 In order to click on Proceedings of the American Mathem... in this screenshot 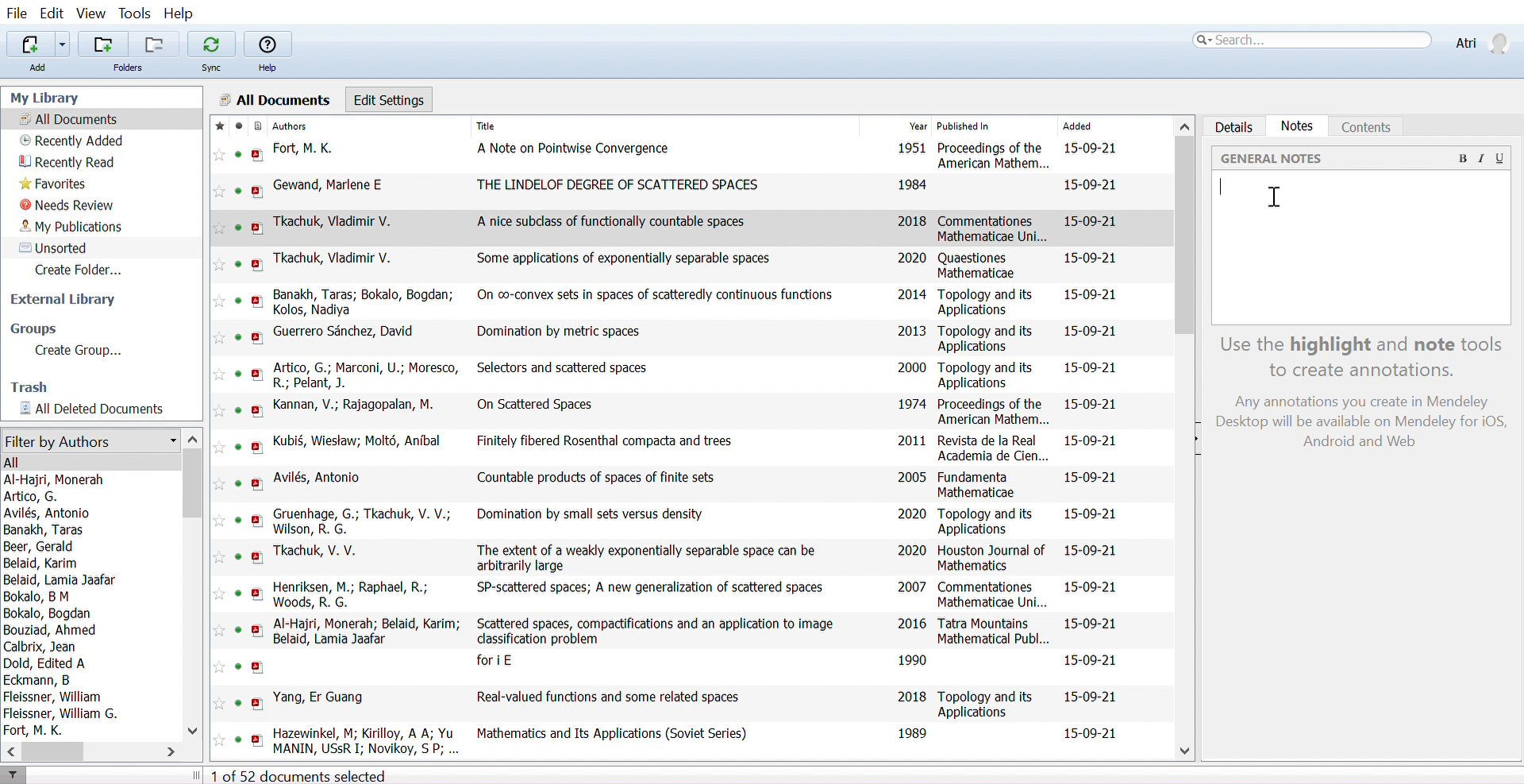, I will do `click(994, 156)`.